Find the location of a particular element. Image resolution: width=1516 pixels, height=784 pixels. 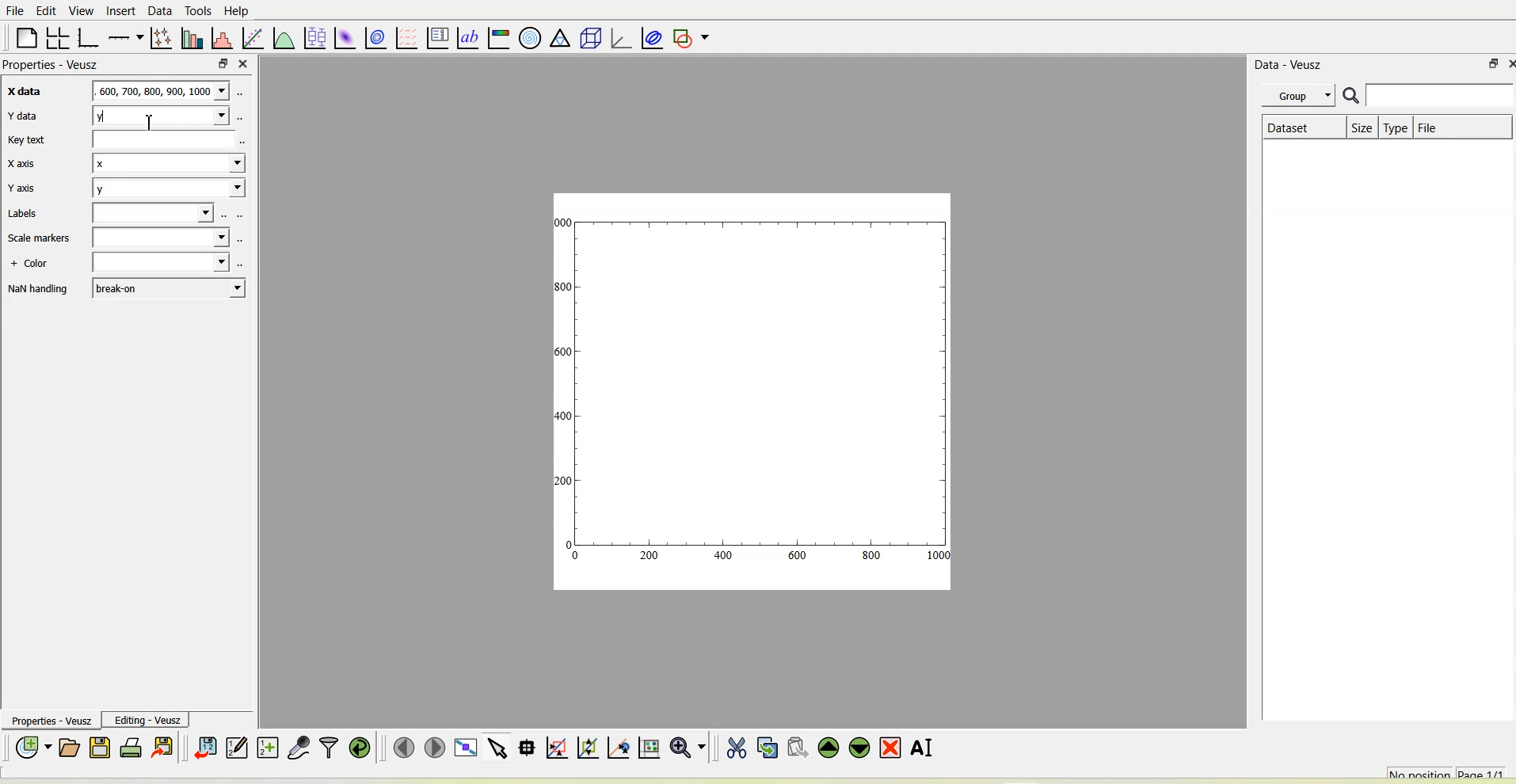

X data is located at coordinates (30, 89).